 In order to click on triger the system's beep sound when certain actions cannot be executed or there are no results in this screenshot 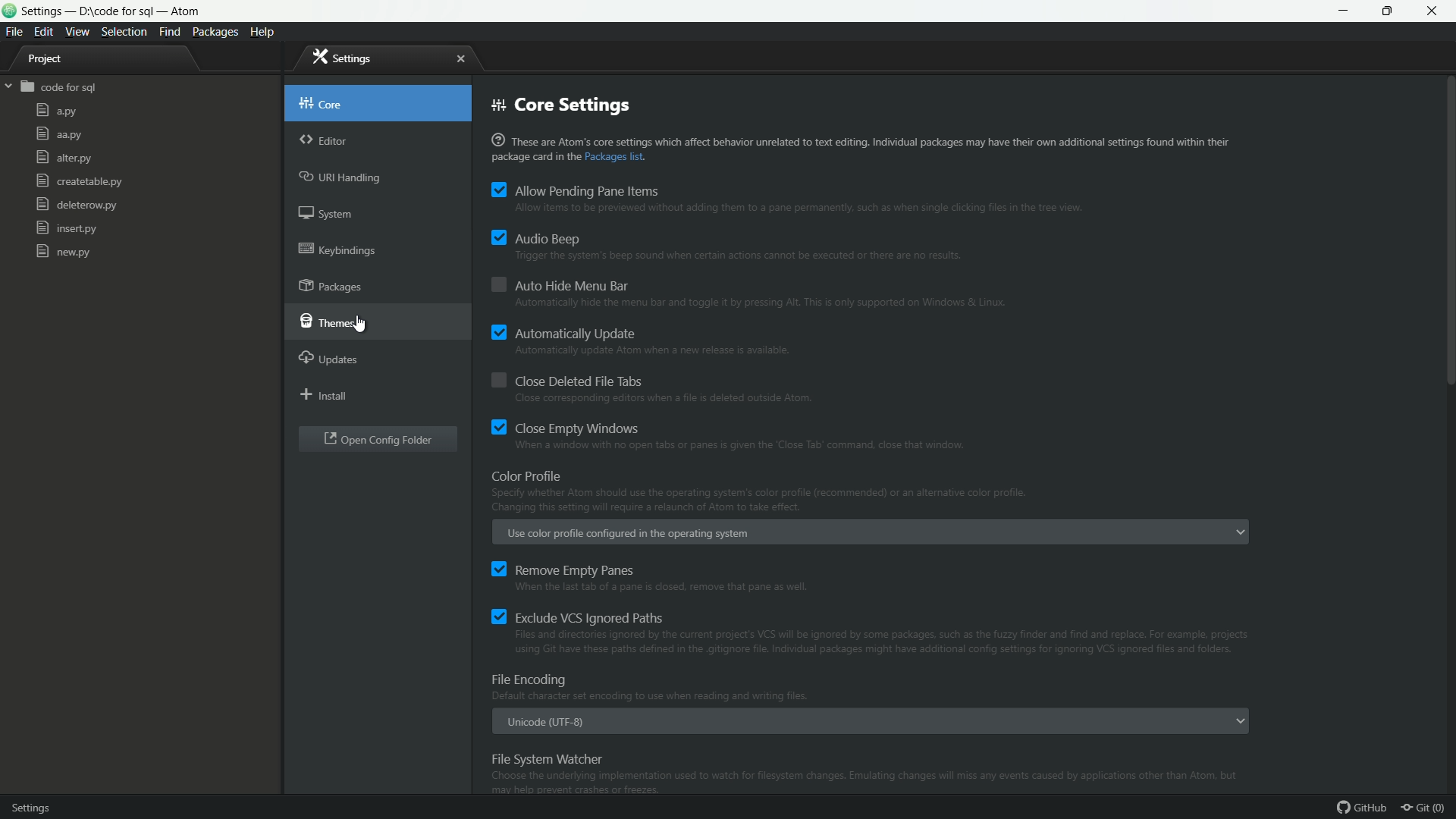, I will do `click(742, 259)`.